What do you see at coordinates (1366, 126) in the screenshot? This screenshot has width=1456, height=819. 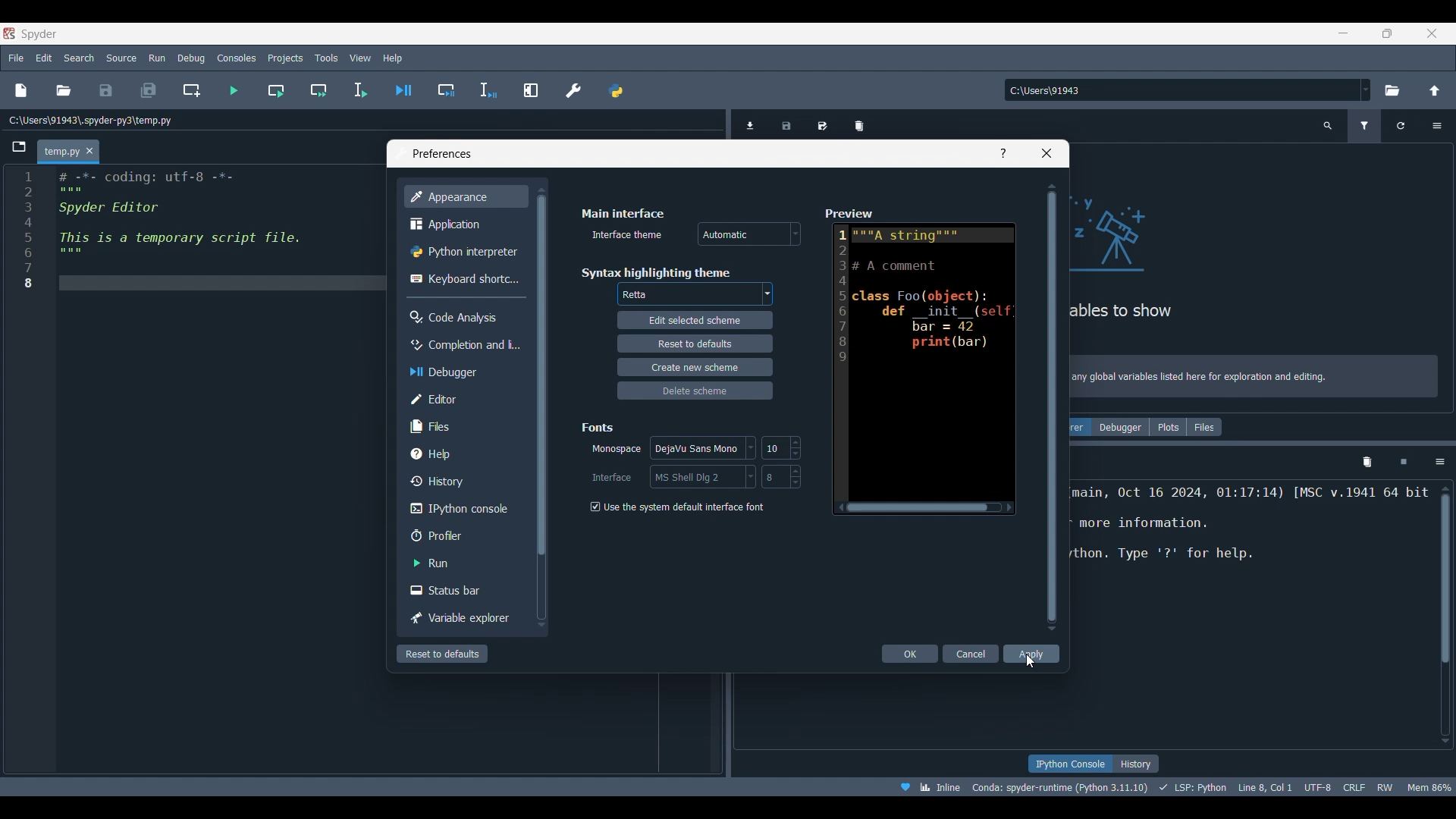 I see `Filter variables, current selection` at bounding box center [1366, 126].